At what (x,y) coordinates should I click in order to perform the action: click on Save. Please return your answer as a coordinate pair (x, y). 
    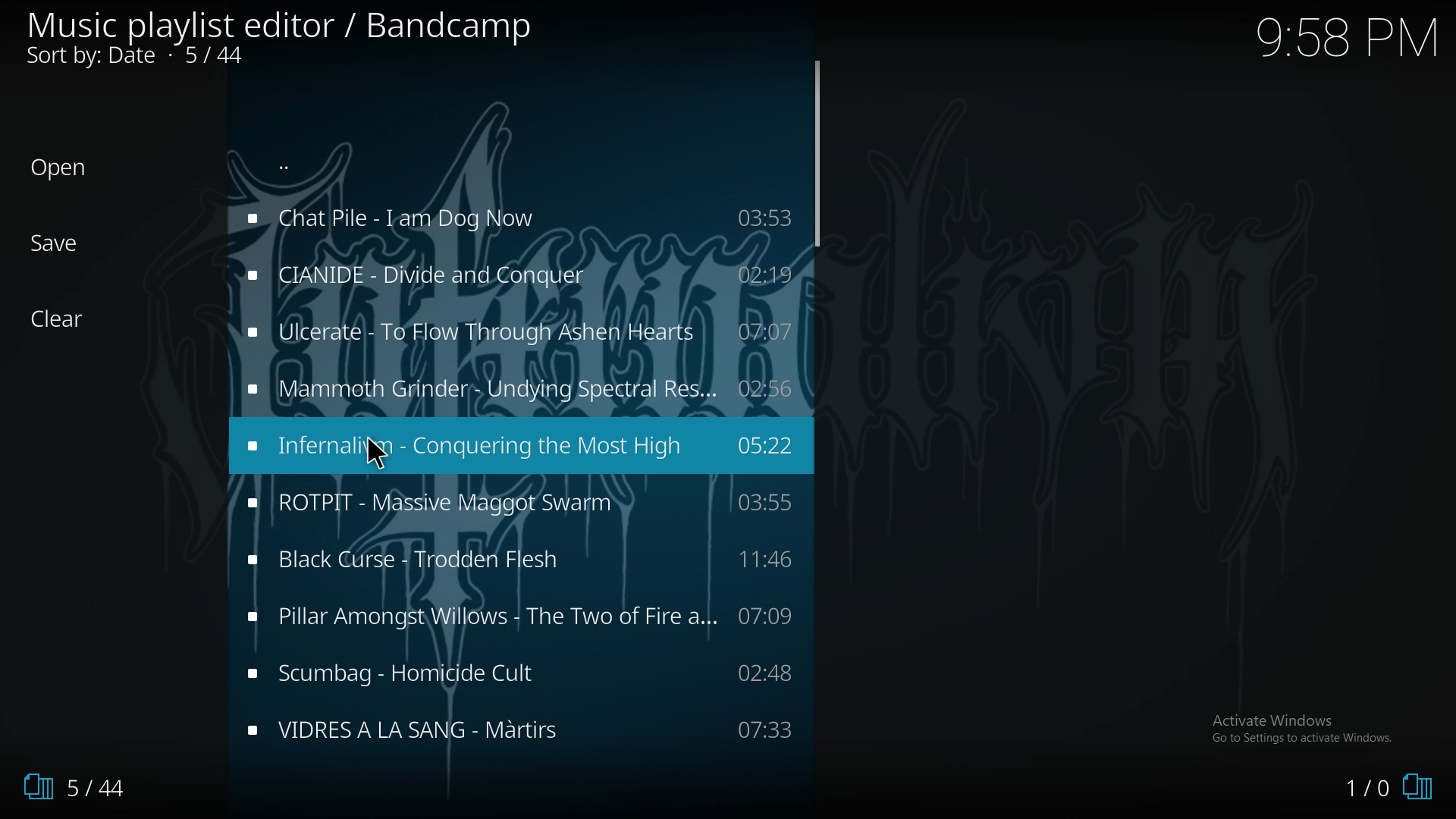
    Looking at the image, I should click on (57, 243).